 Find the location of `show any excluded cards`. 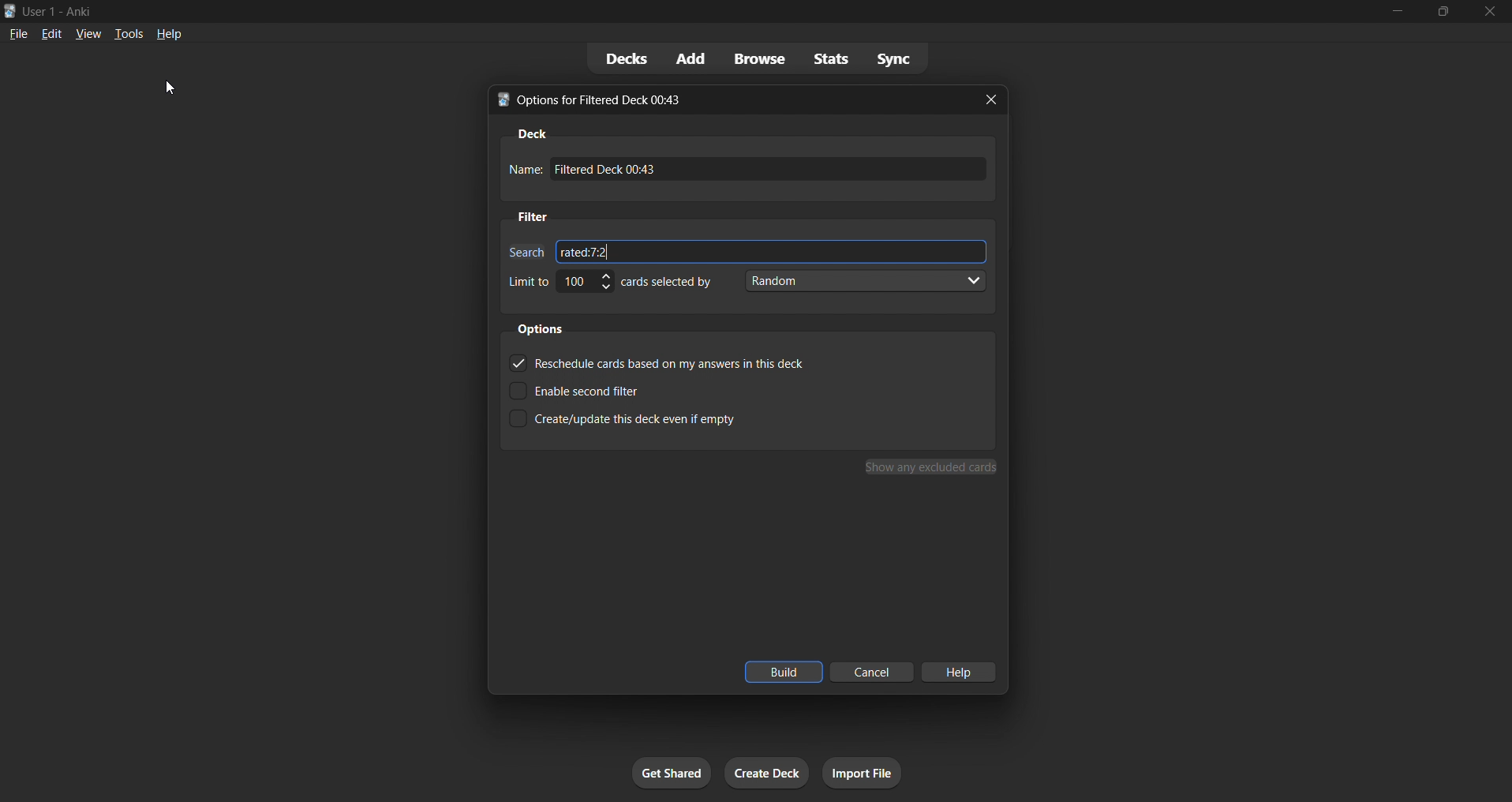

show any excluded cards is located at coordinates (930, 468).